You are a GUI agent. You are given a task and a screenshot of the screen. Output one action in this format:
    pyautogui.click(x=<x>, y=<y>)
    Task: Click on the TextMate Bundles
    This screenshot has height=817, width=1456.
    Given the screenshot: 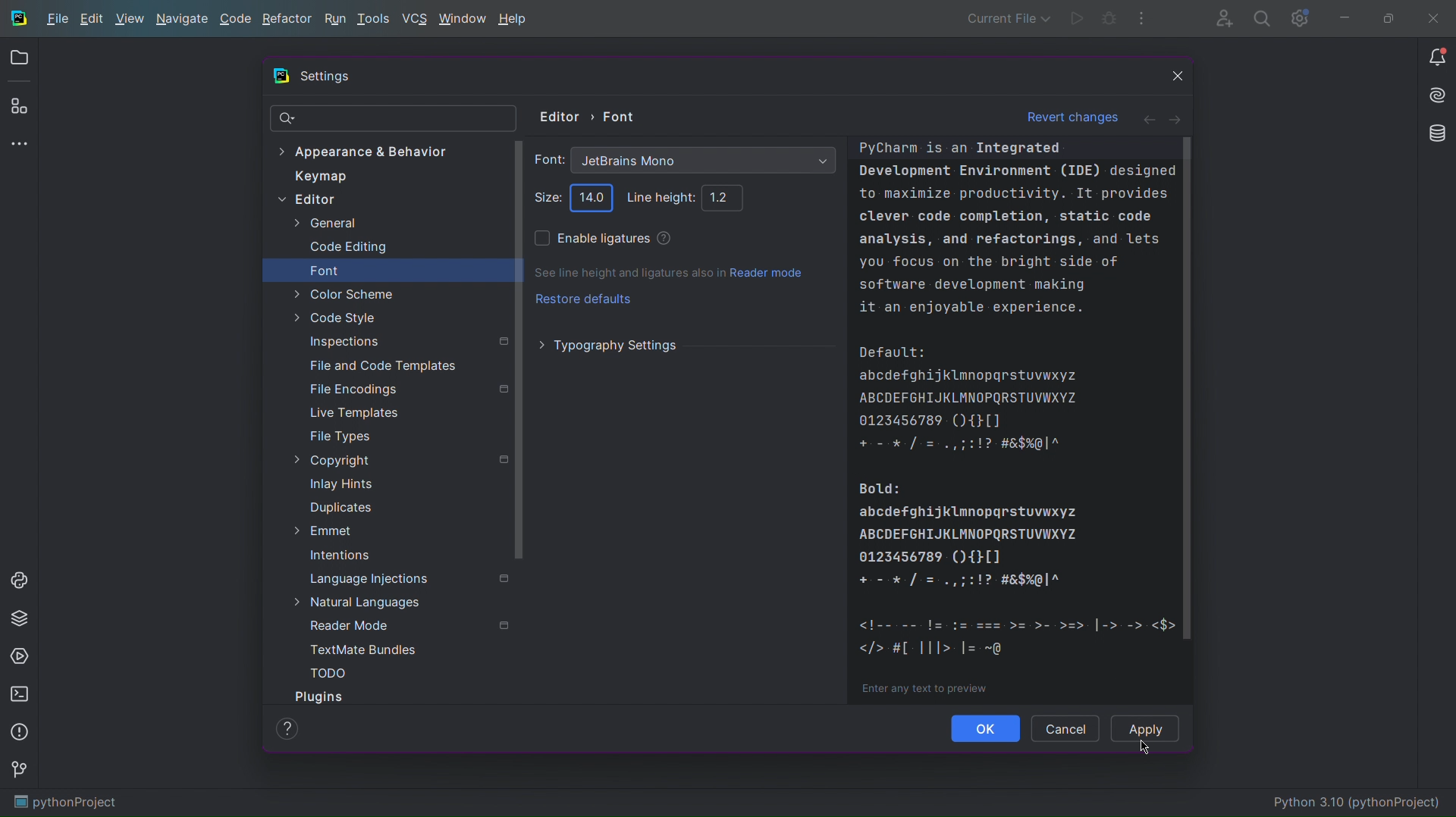 What is the action you would take?
    pyautogui.click(x=364, y=650)
    